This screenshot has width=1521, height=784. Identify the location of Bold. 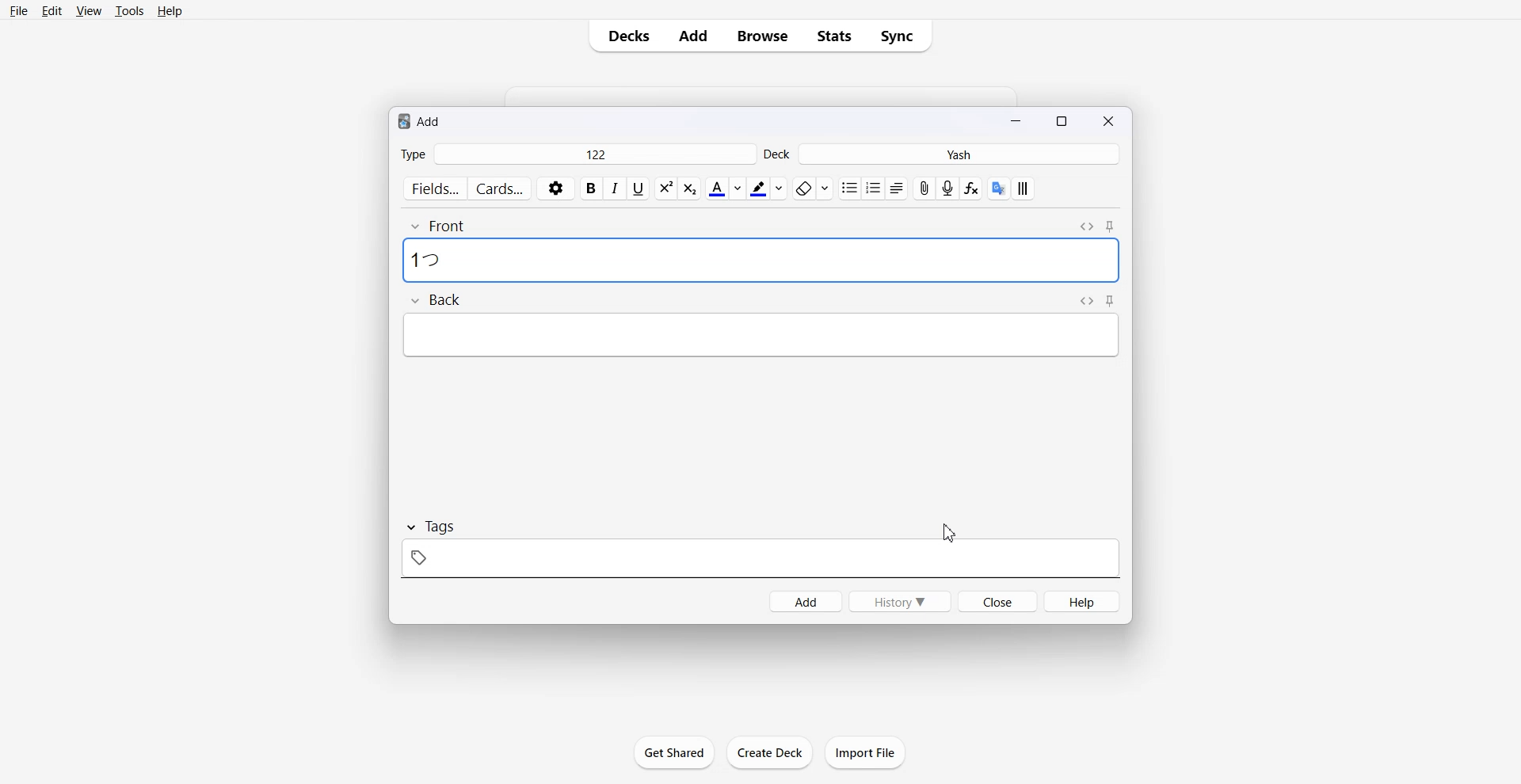
(592, 188).